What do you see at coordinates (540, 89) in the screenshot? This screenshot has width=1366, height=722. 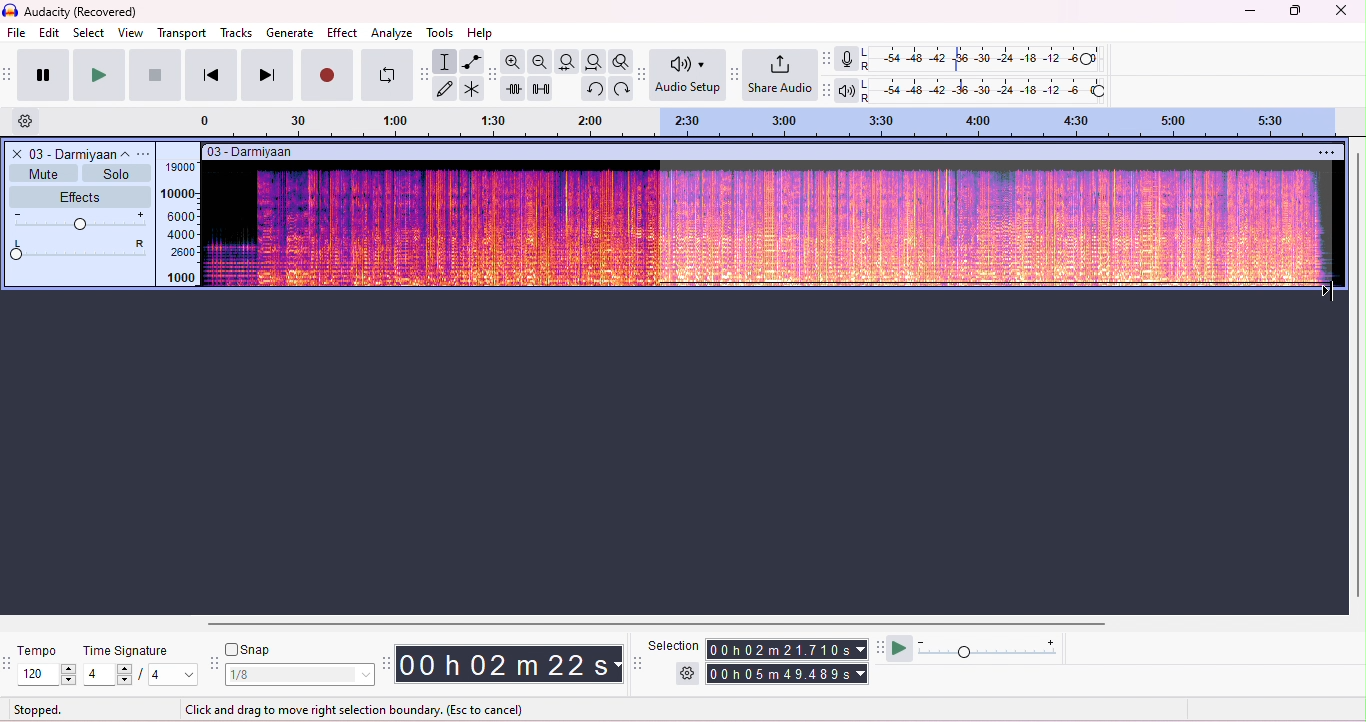 I see `silence selection` at bounding box center [540, 89].